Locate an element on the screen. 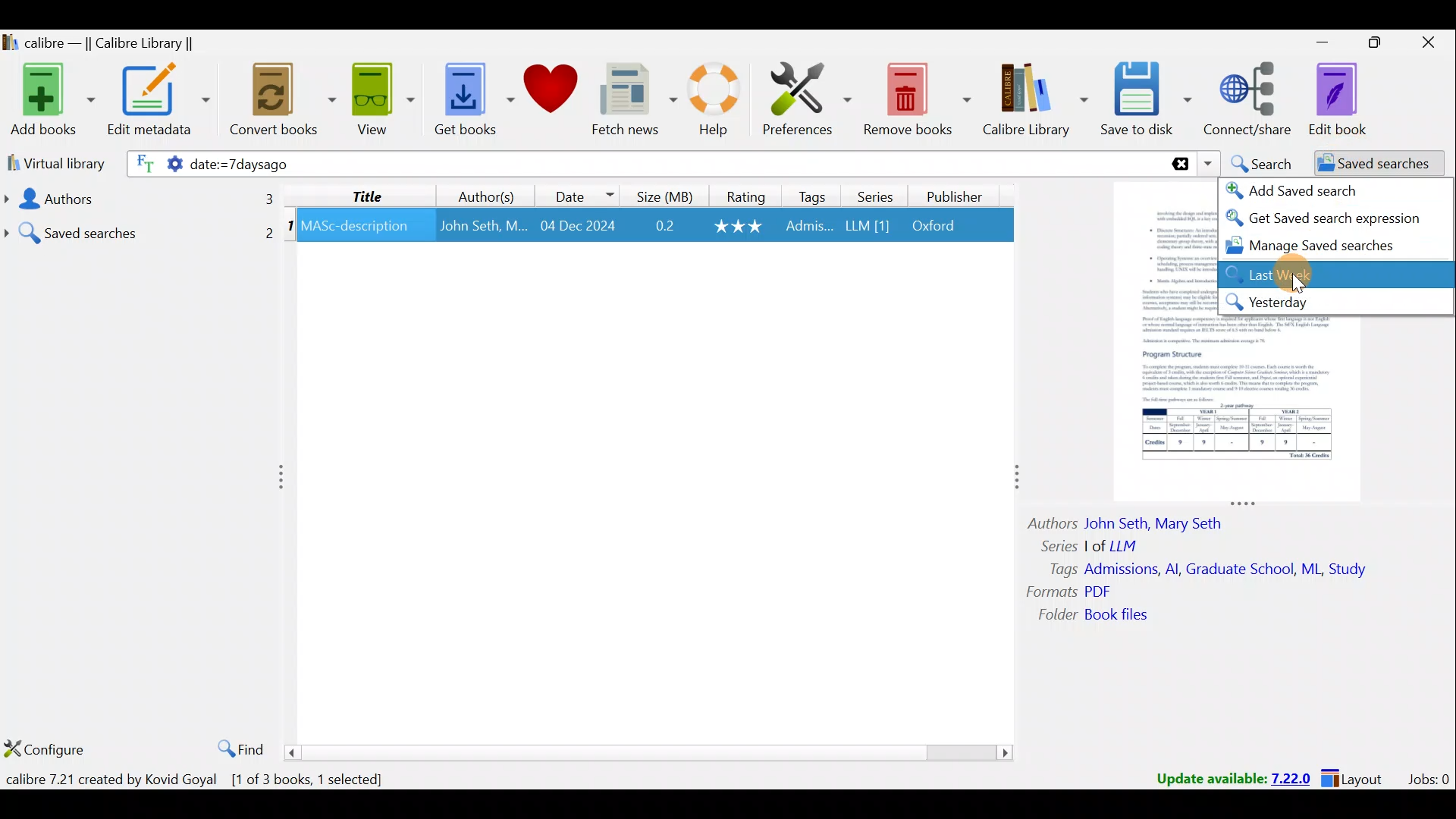  Saved searches is located at coordinates (1369, 164).